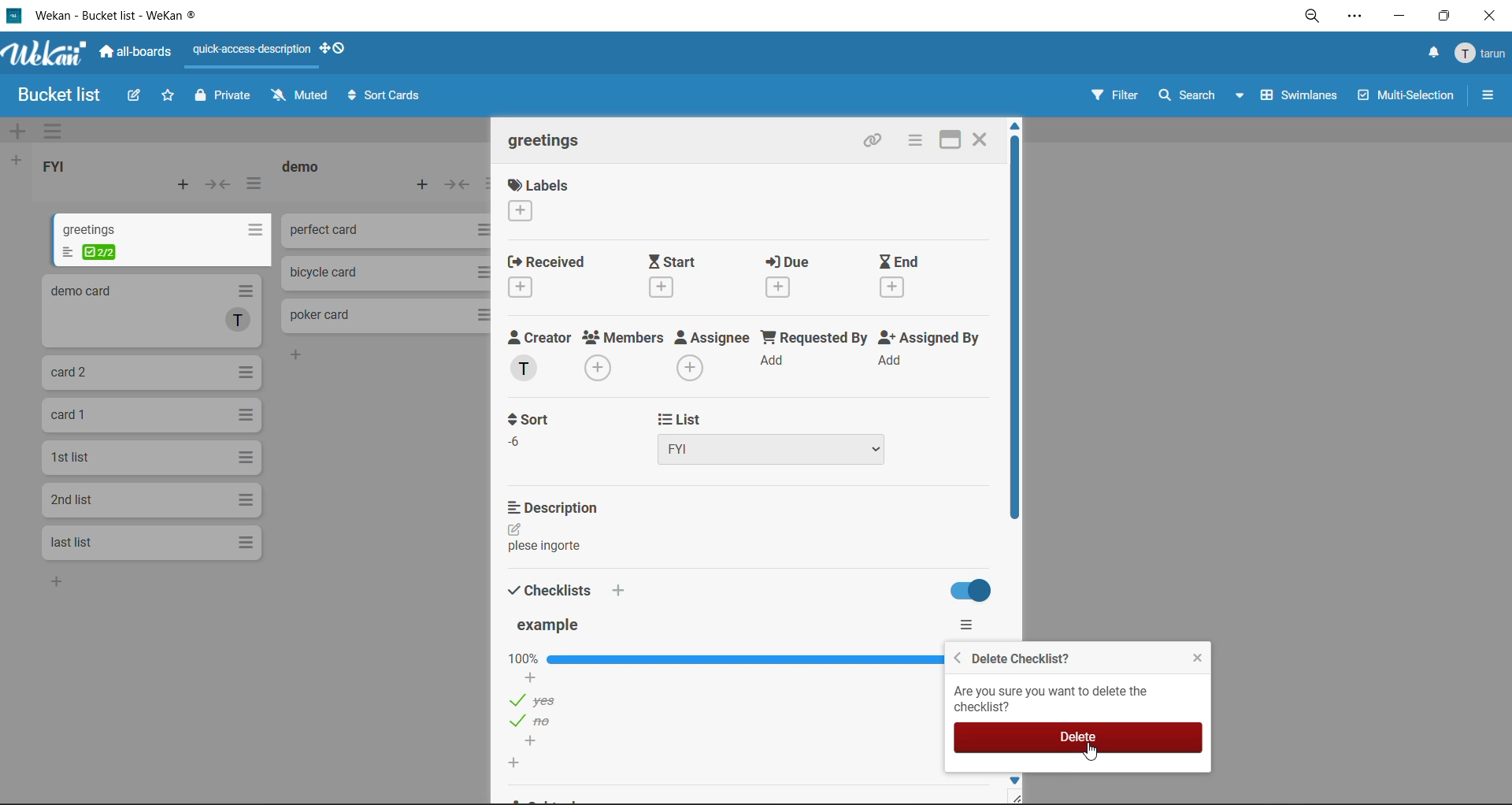 The height and width of the screenshot is (805, 1512). What do you see at coordinates (1399, 14) in the screenshot?
I see `minimize` at bounding box center [1399, 14].